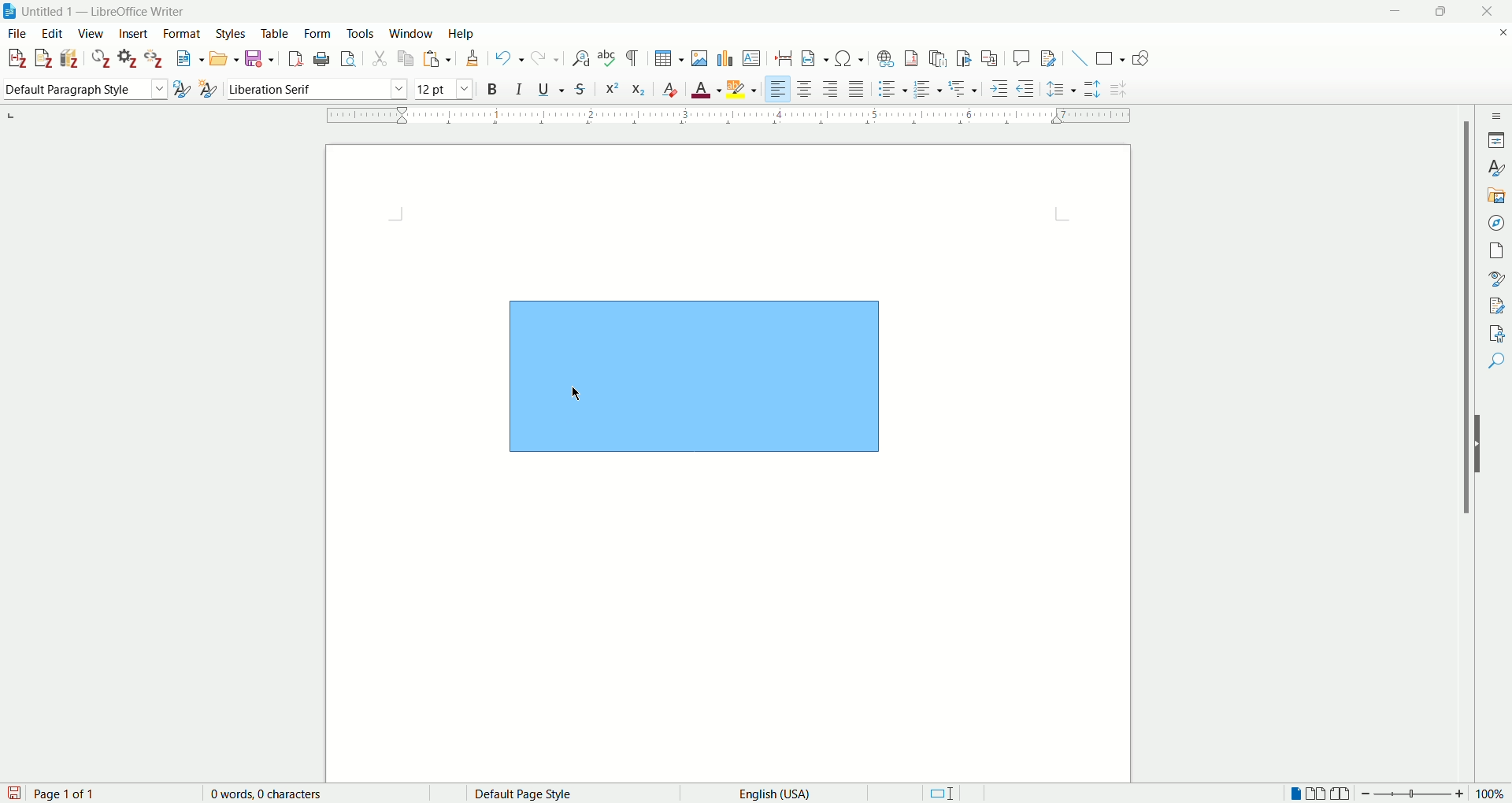 The image size is (1512, 803). Describe the element at coordinates (9, 9) in the screenshot. I see `application icon` at that location.